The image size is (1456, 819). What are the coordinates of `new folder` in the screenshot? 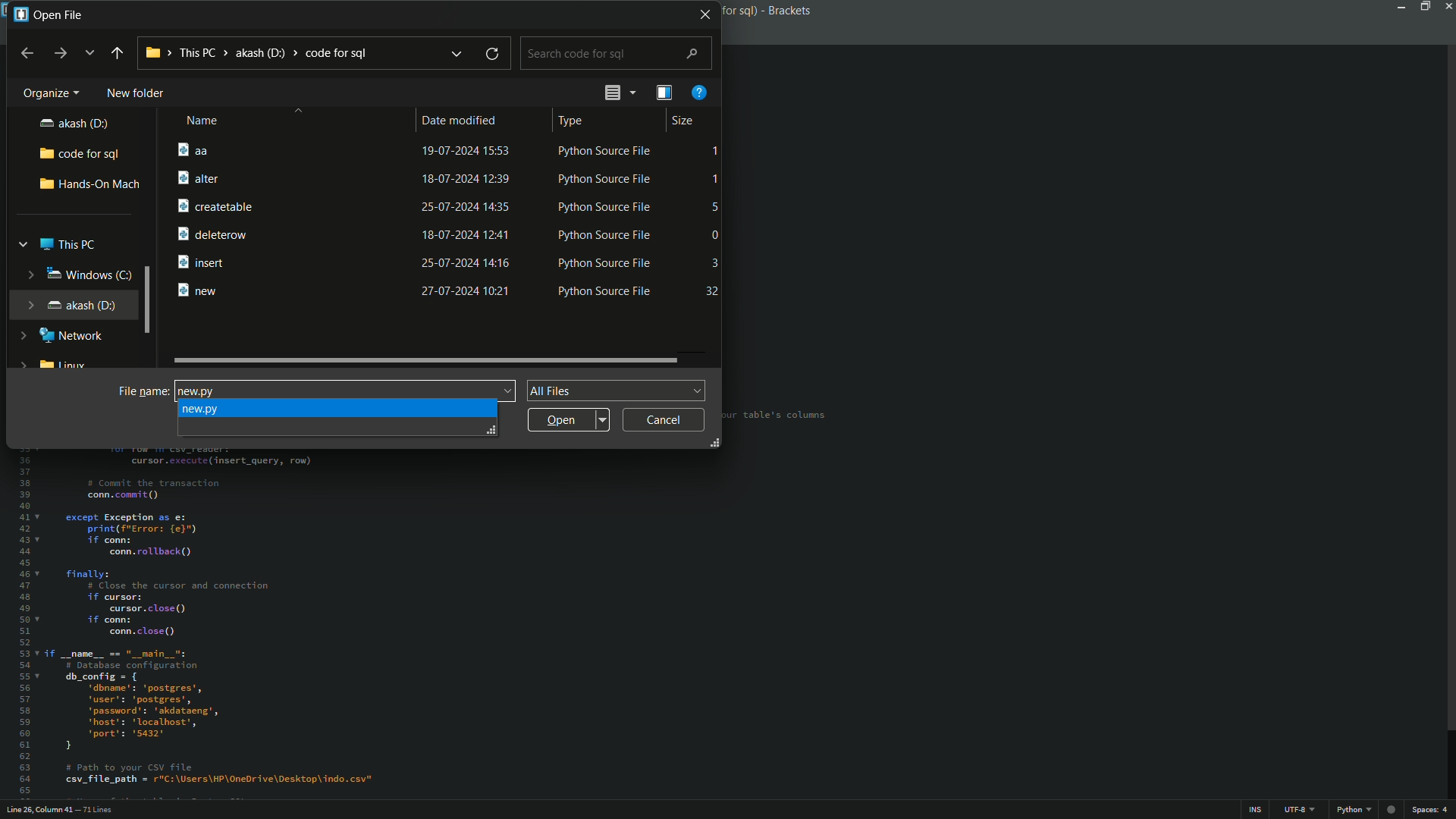 It's located at (133, 93).